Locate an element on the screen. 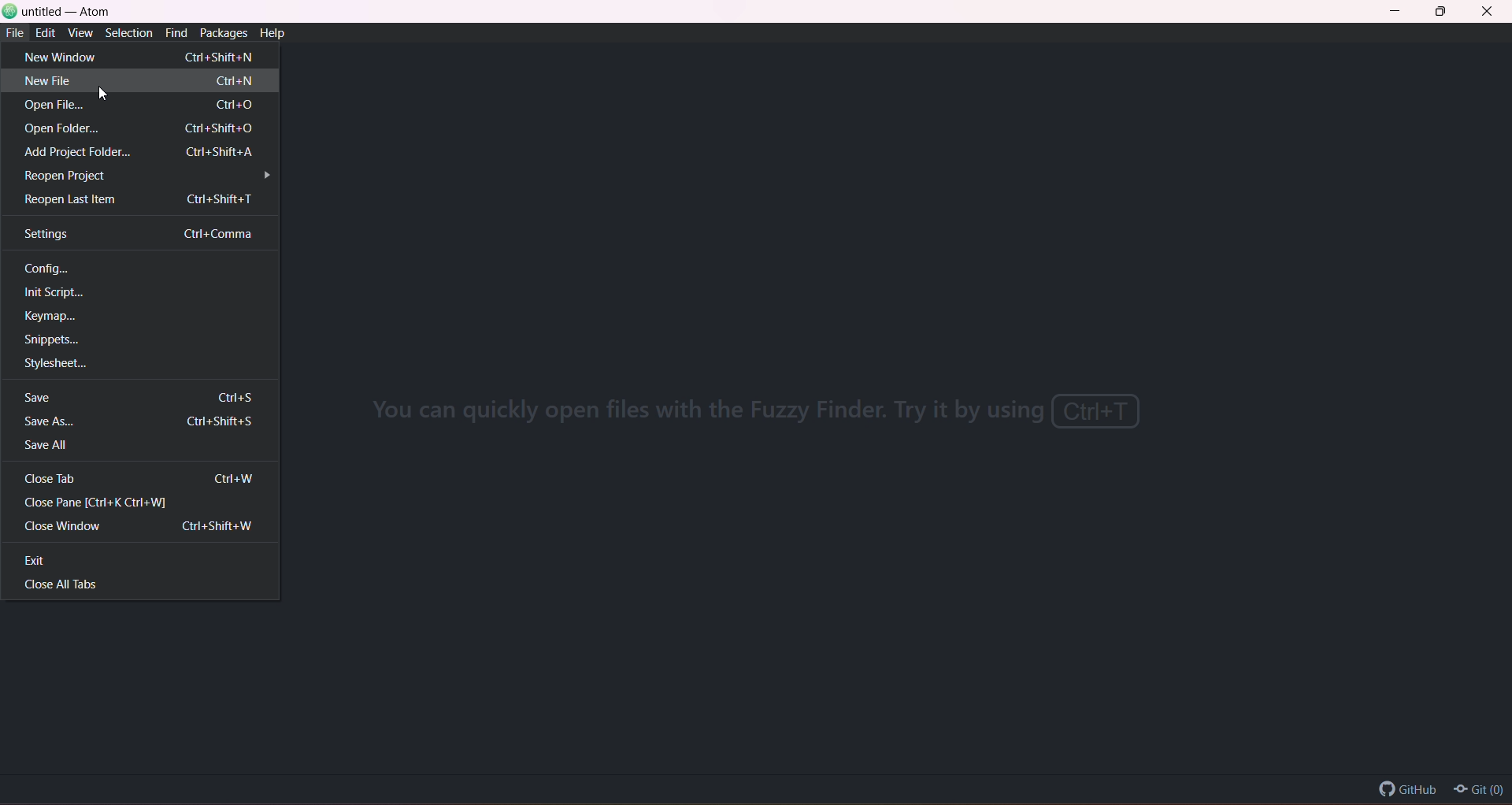 Image resolution: width=1512 pixels, height=805 pixels. Find is located at coordinates (177, 32).